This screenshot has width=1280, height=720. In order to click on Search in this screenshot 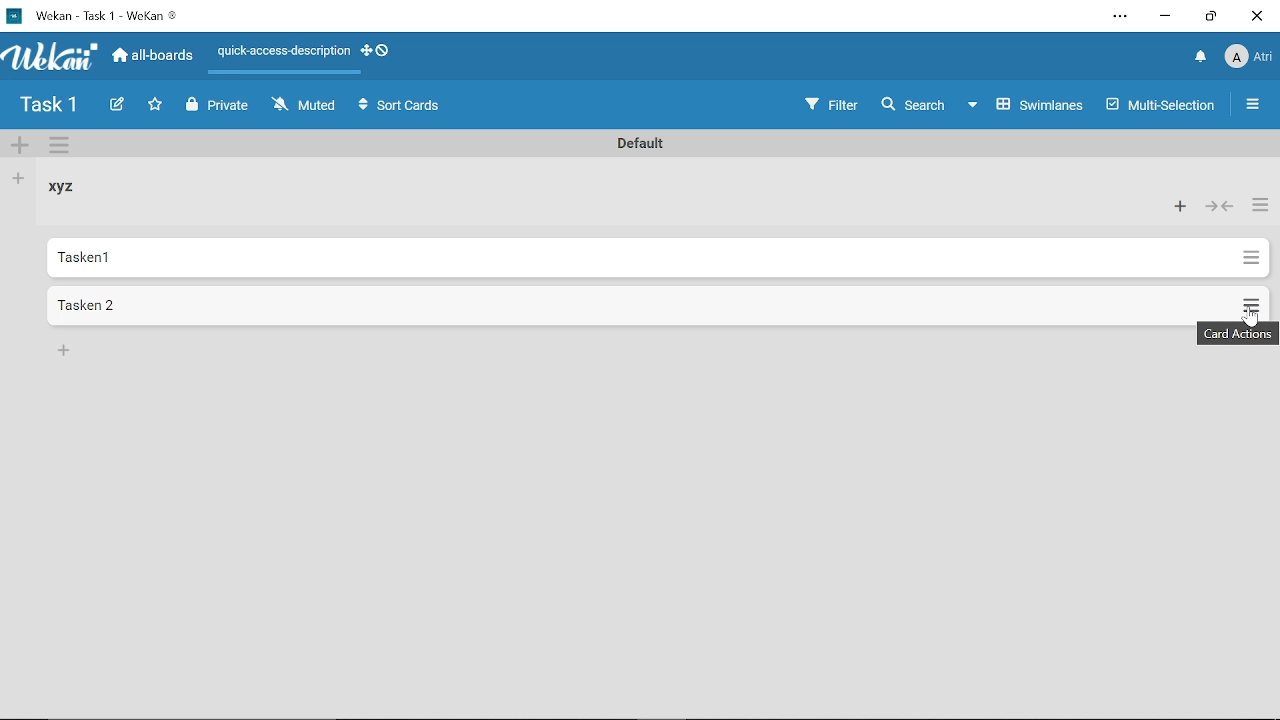, I will do `click(911, 104)`.